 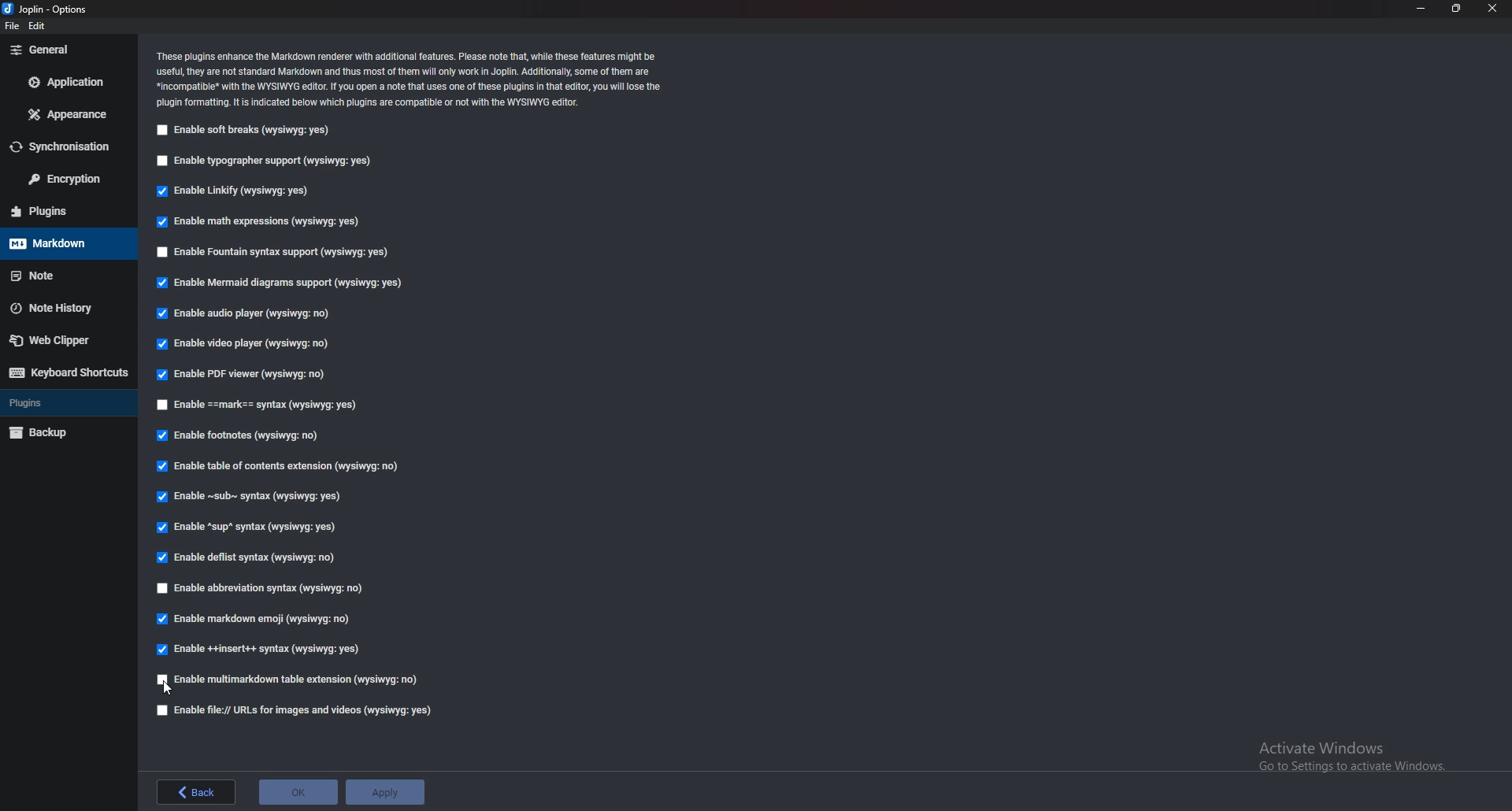 I want to click on close, so click(x=1493, y=8).